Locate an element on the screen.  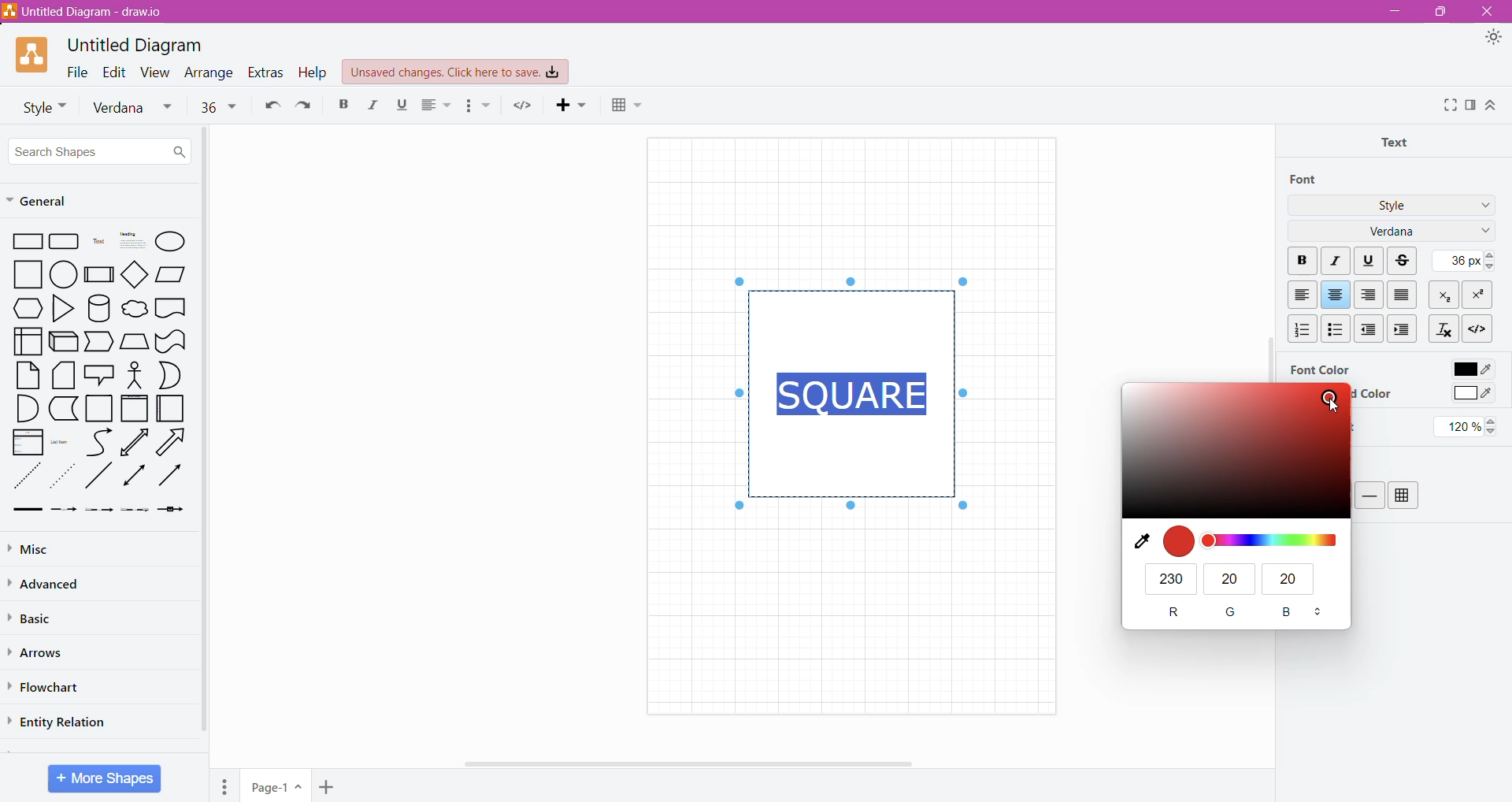
Rightward Thick Arrow is located at coordinates (171, 474).